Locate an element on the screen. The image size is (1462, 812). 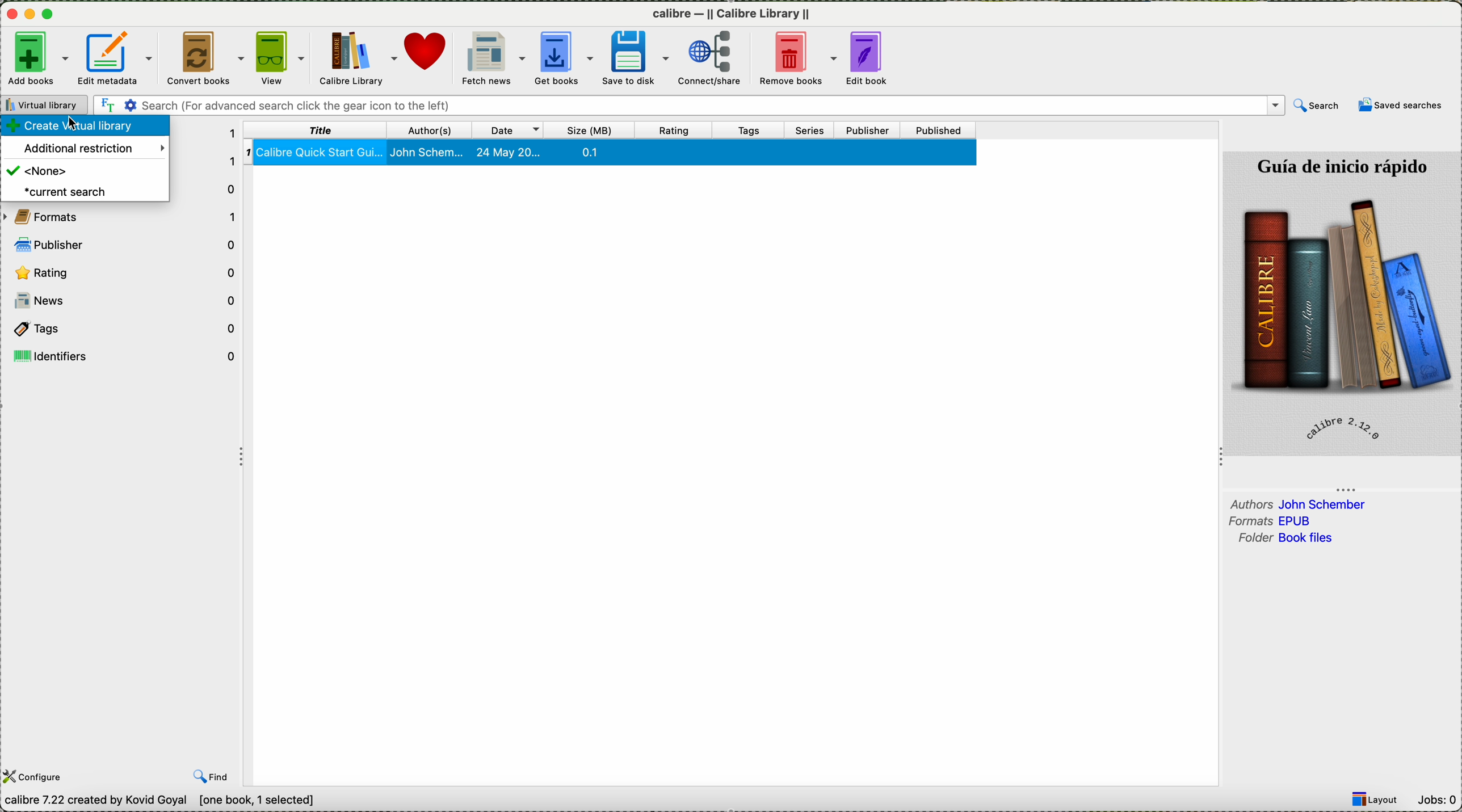
publisher is located at coordinates (869, 131).